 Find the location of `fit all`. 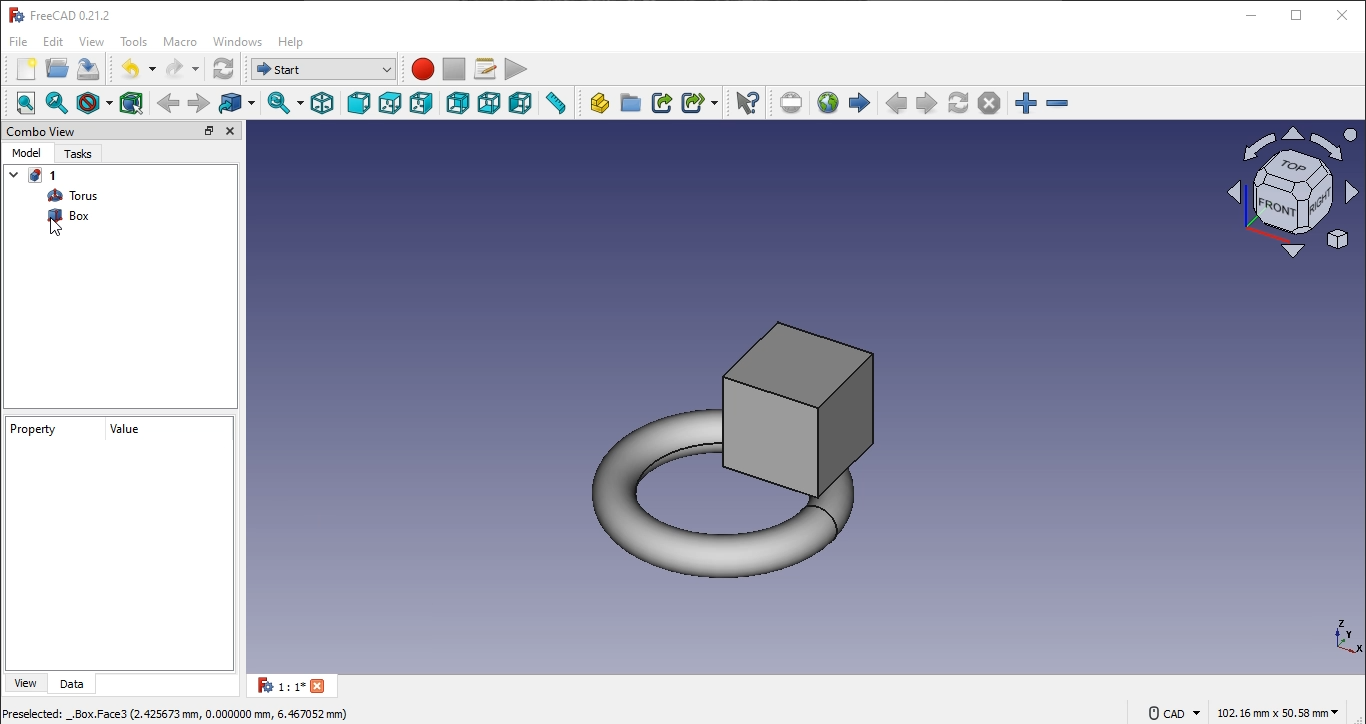

fit all is located at coordinates (26, 102).